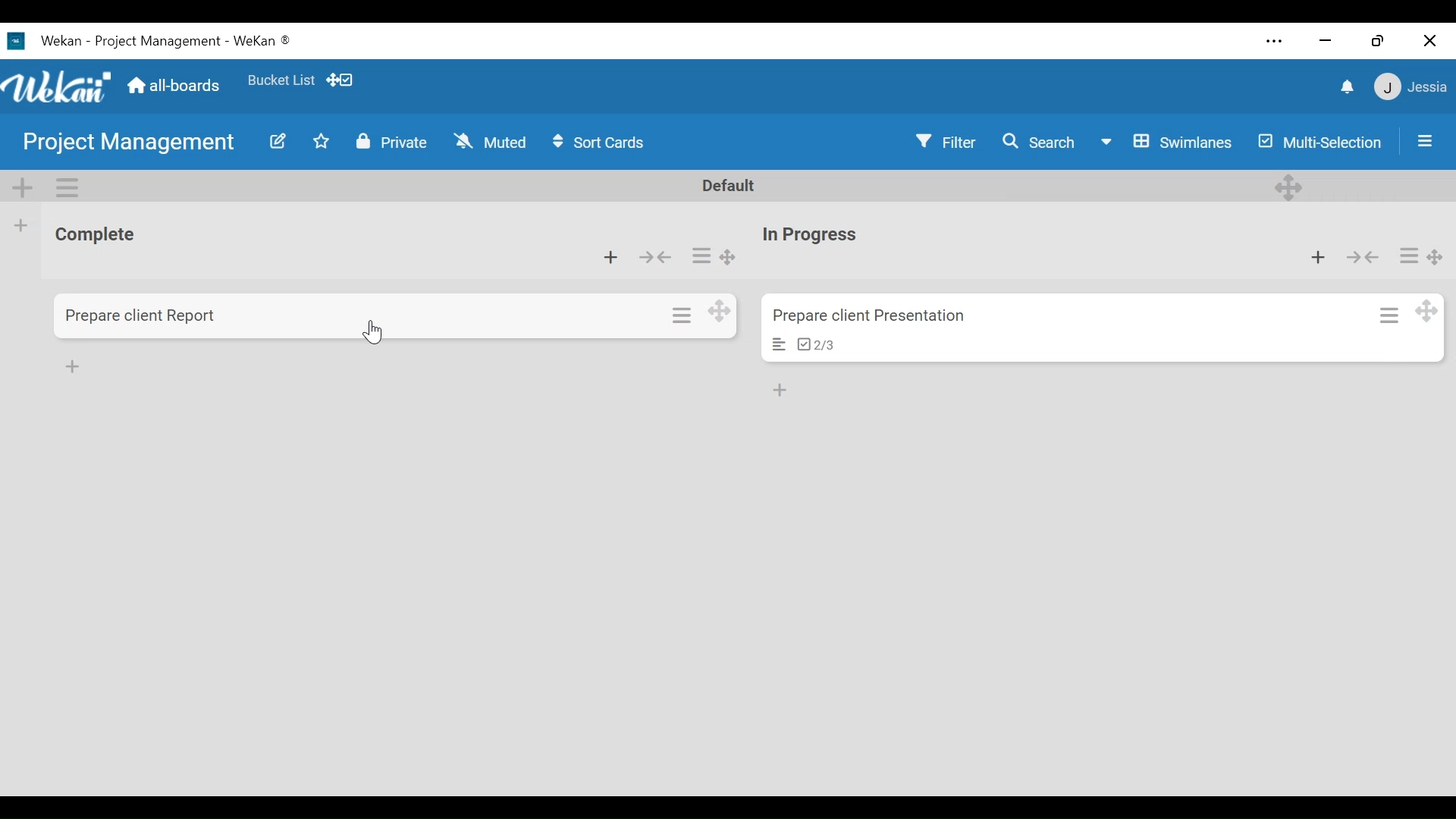 This screenshot has width=1456, height=819. What do you see at coordinates (1390, 315) in the screenshot?
I see `Card actions` at bounding box center [1390, 315].